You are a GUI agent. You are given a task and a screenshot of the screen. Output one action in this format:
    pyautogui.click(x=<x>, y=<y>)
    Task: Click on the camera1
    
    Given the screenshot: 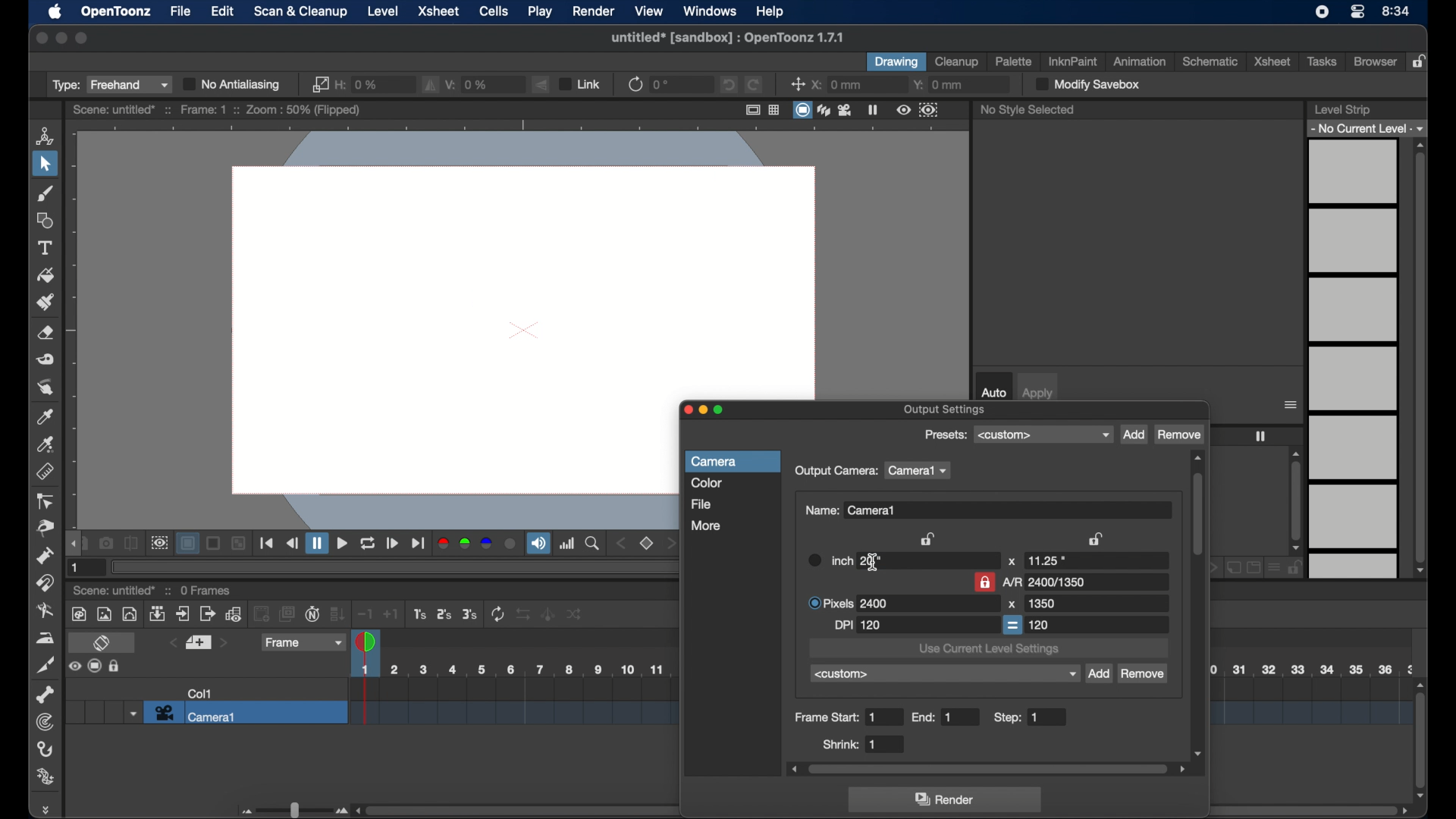 What is the action you would take?
    pyautogui.click(x=920, y=471)
    